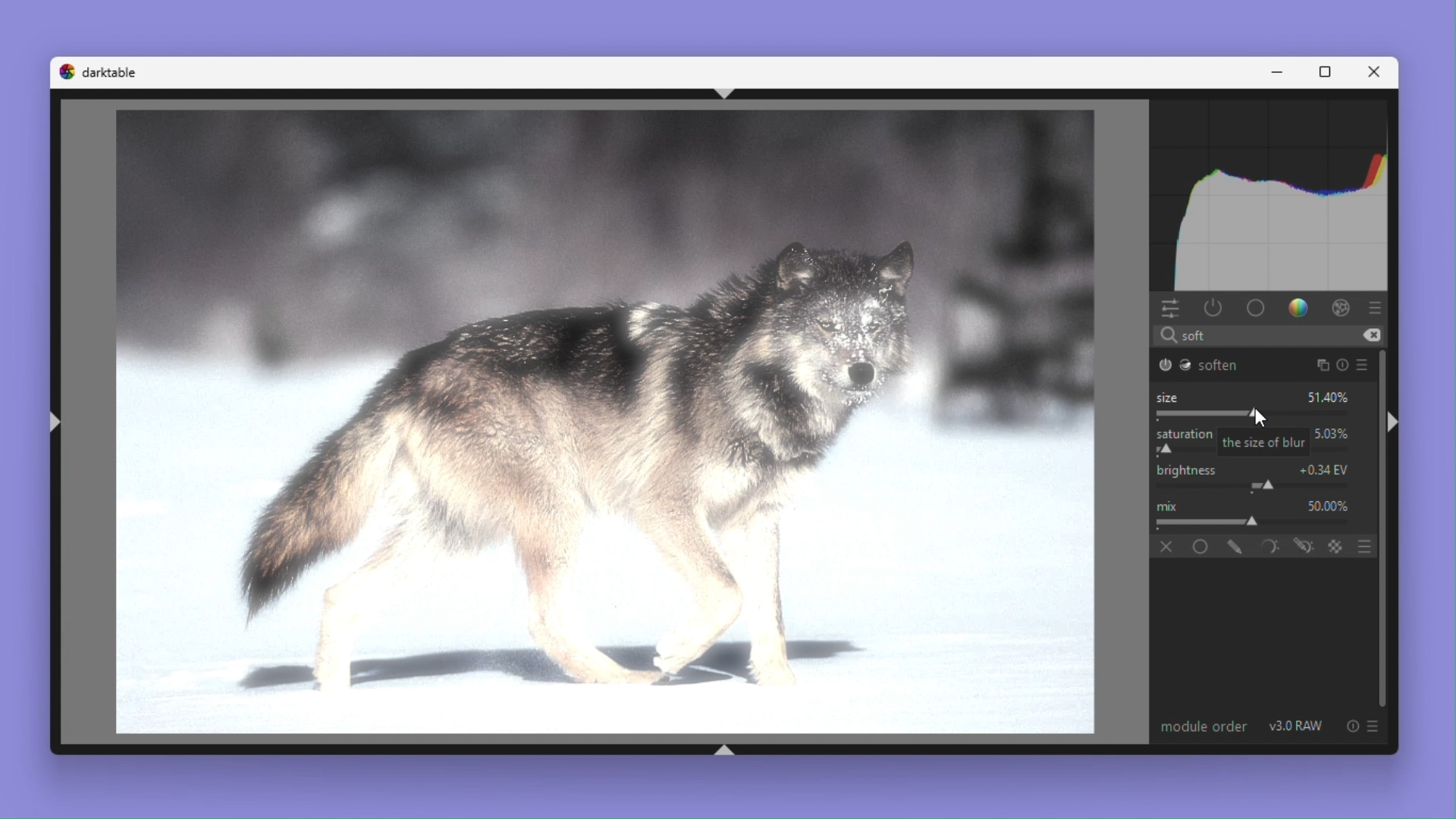 Image resolution: width=1456 pixels, height=819 pixels. I want to click on slider, so click(1254, 522).